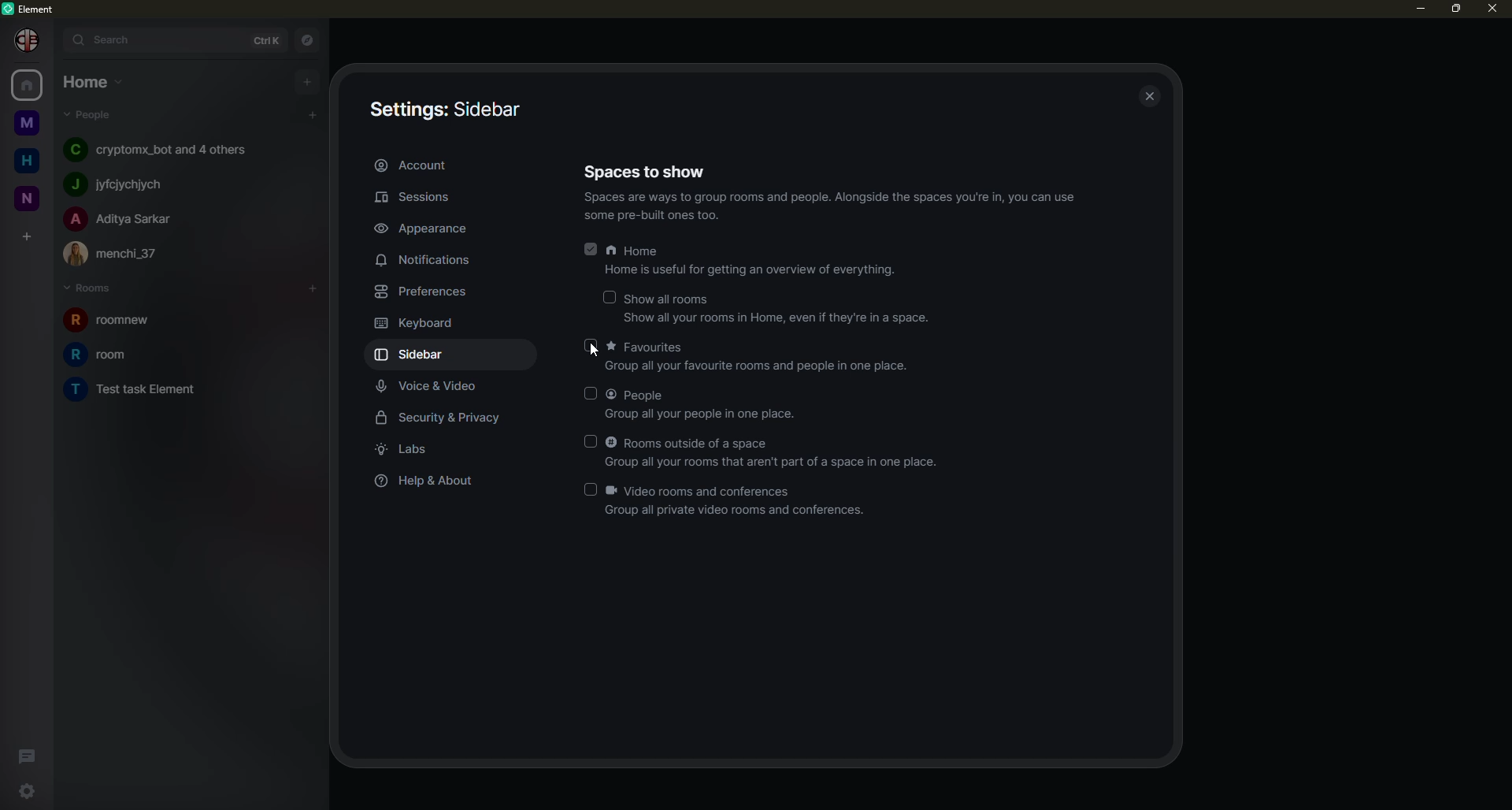 The width and height of the screenshot is (1512, 810). What do you see at coordinates (737, 502) in the screenshot?
I see `video rooms and conferences` at bounding box center [737, 502].